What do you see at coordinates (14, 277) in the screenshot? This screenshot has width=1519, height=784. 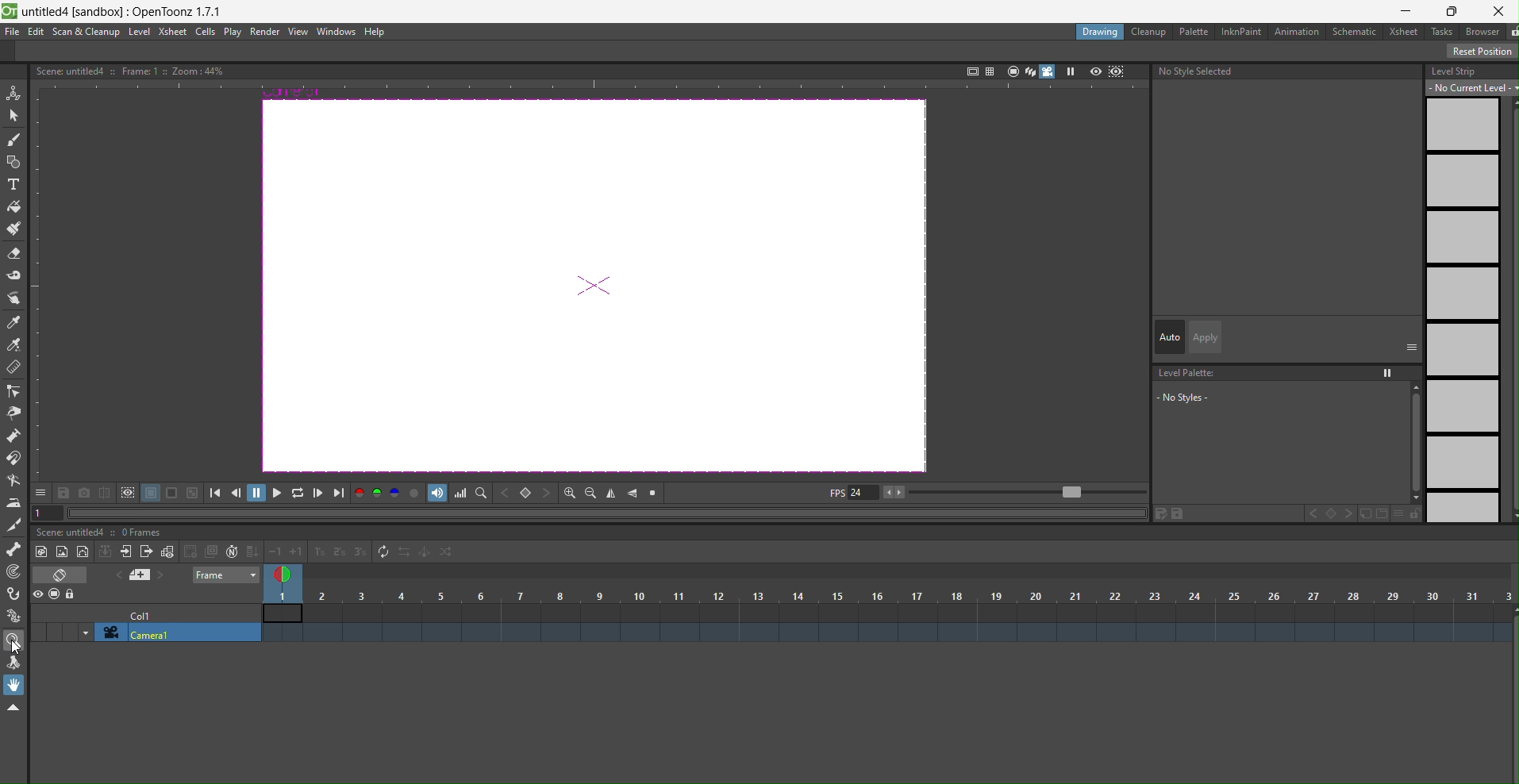 I see `tape tool` at bounding box center [14, 277].